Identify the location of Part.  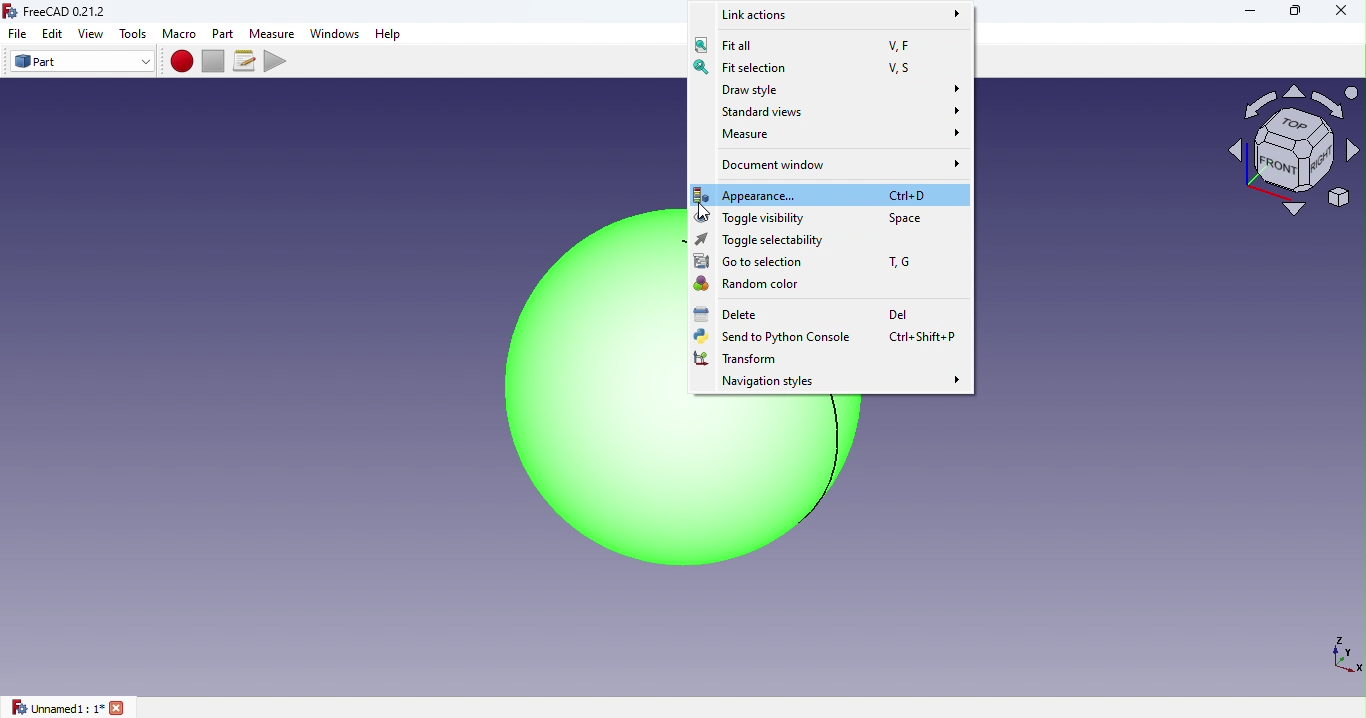
(82, 62).